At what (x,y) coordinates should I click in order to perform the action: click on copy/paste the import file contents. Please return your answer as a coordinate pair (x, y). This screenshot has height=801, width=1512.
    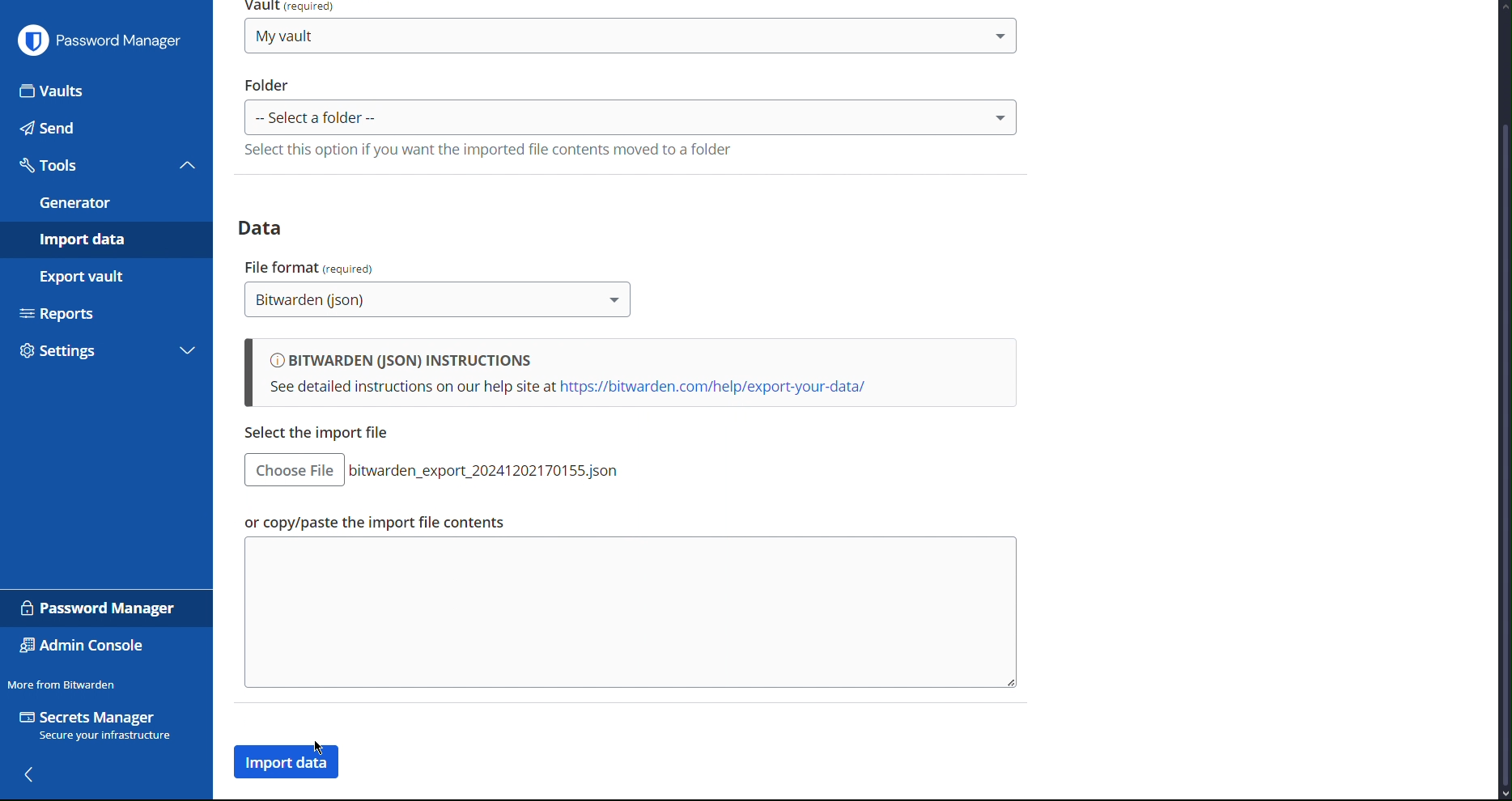
    Looking at the image, I should click on (628, 613).